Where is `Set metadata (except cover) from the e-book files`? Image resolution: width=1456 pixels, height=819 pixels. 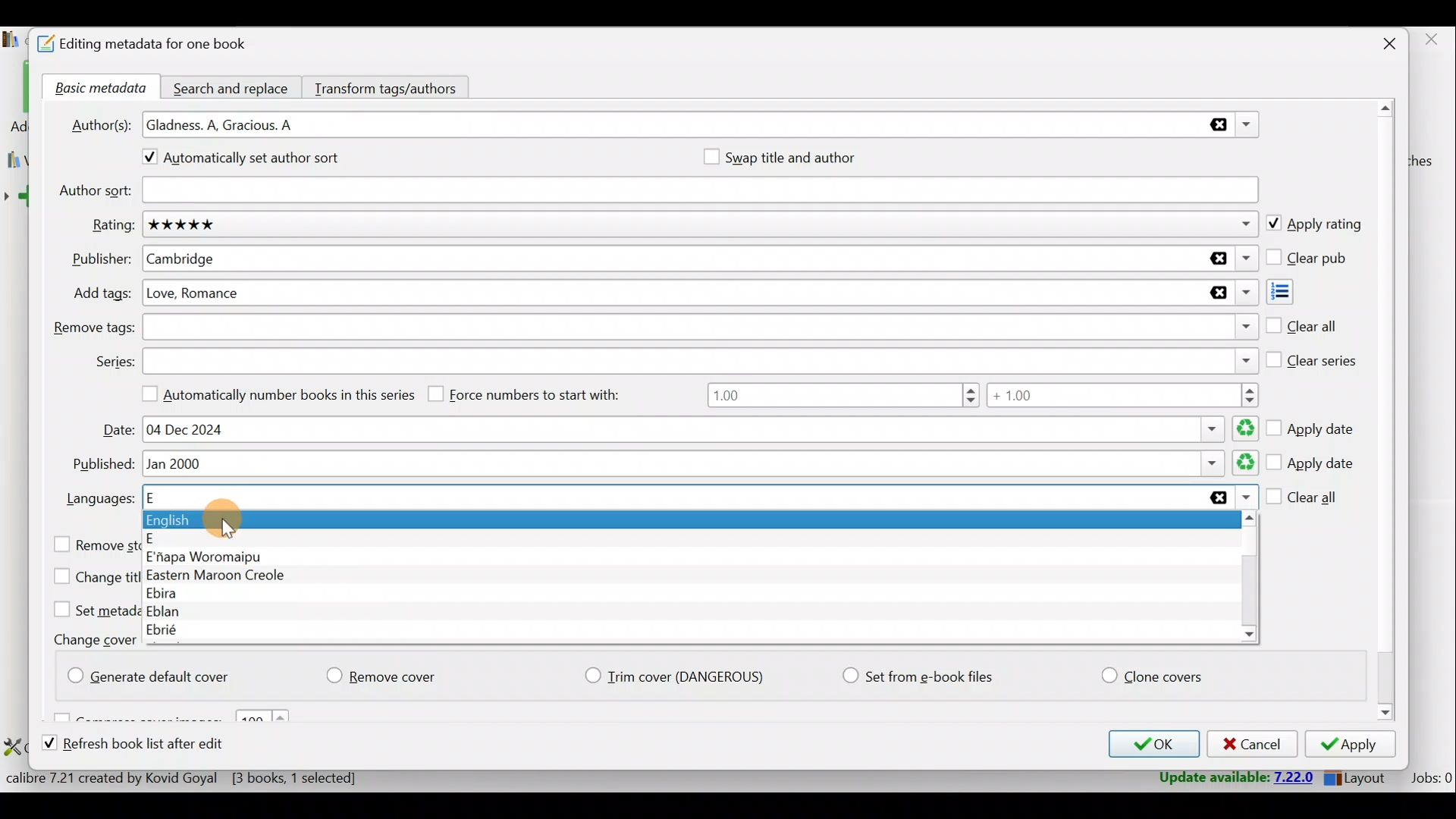
Set metadata (except cover) from the e-book files is located at coordinates (93, 609).